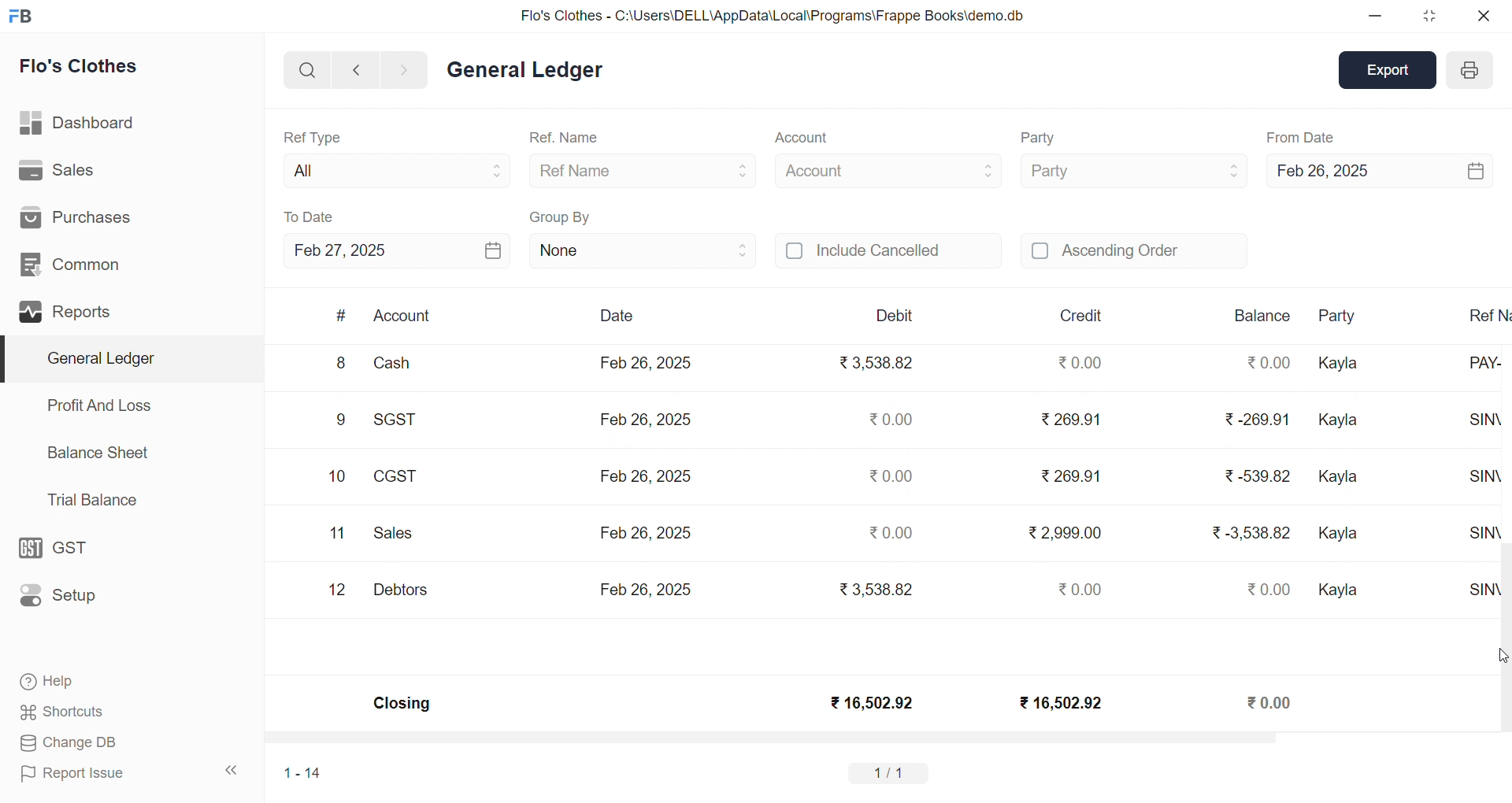 This screenshot has width=1512, height=803. I want to click on Ref Type, so click(312, 136).